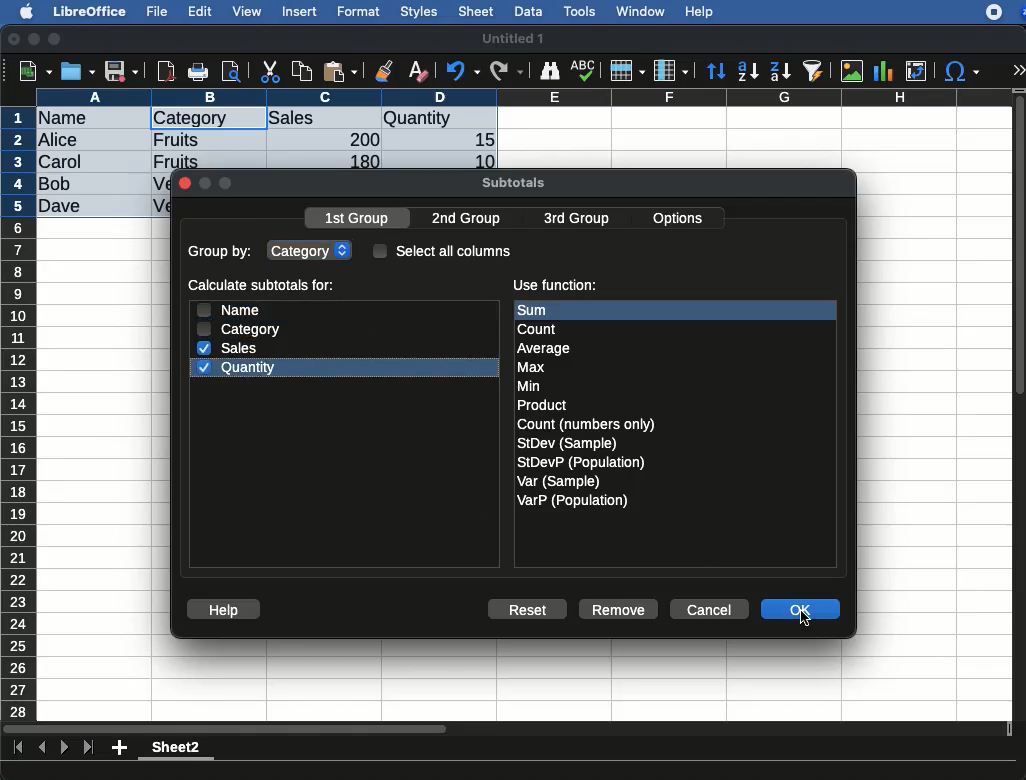 This screenshot has height=780, width=1026. What do you see at coordinates (700, 13) in the screenshot?
I see `help` at bounding box center [700, 13].